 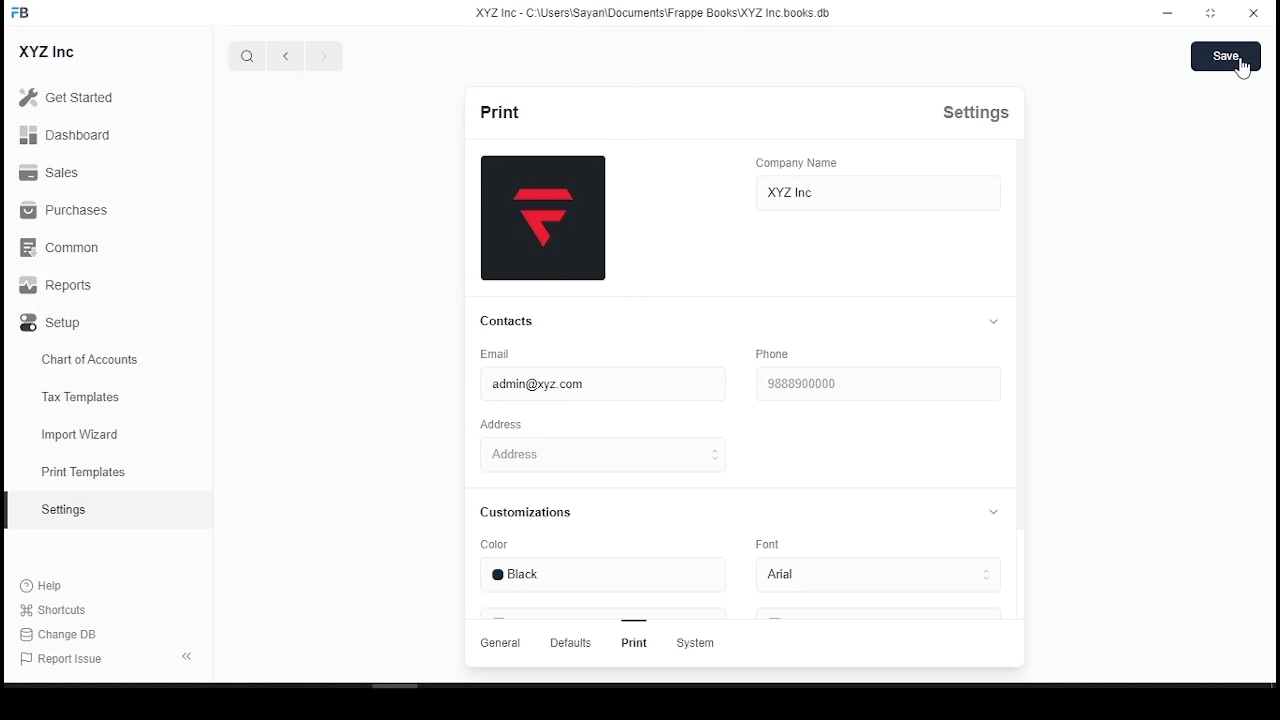 What do you see at coordinates (501, 644) in the screenshot?
I see `General` at bounding box center [501, 644].